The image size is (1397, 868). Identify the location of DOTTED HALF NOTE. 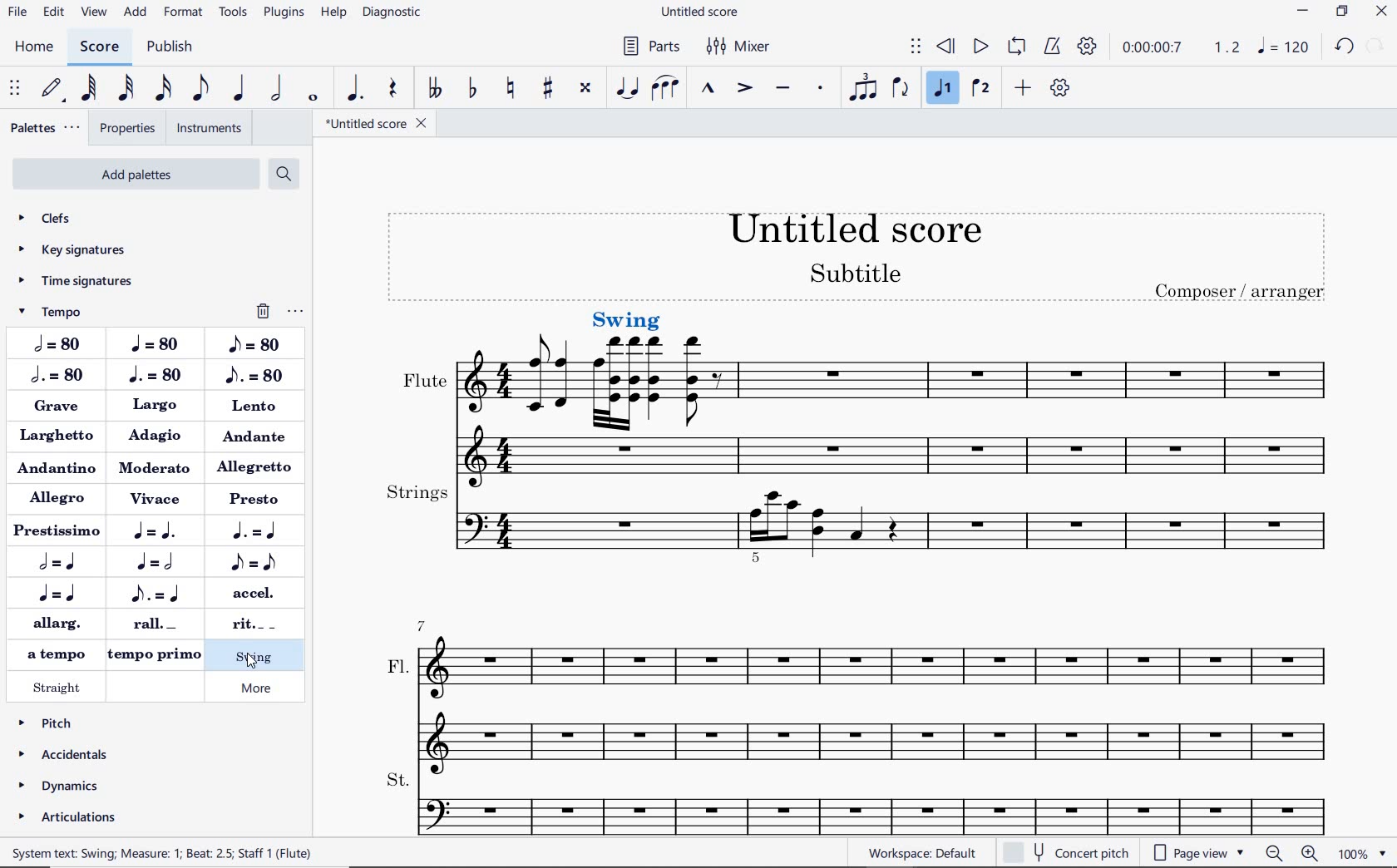
(57, 377).